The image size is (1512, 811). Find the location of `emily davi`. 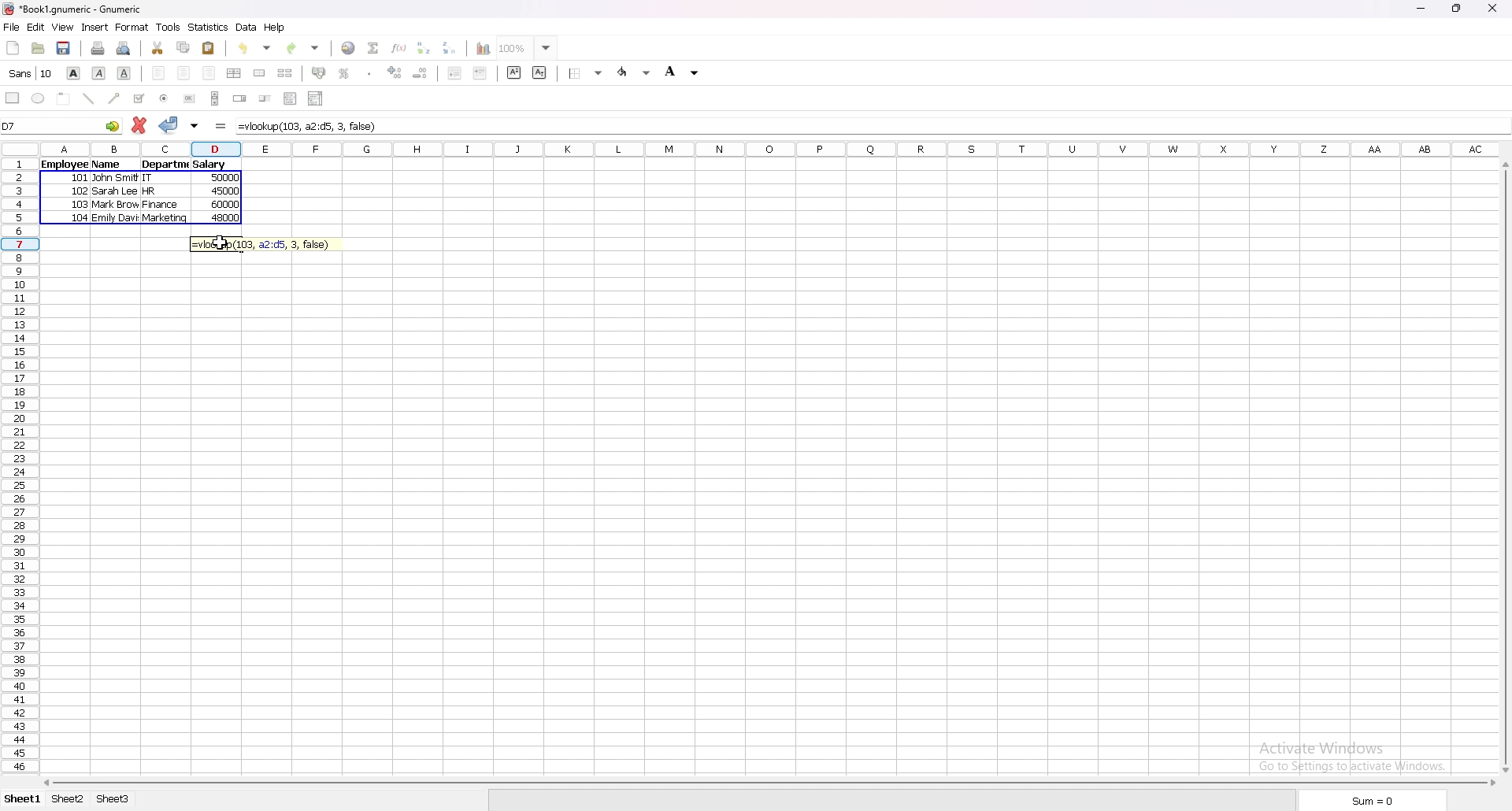

emily davi is located at coordinates (119, 219).